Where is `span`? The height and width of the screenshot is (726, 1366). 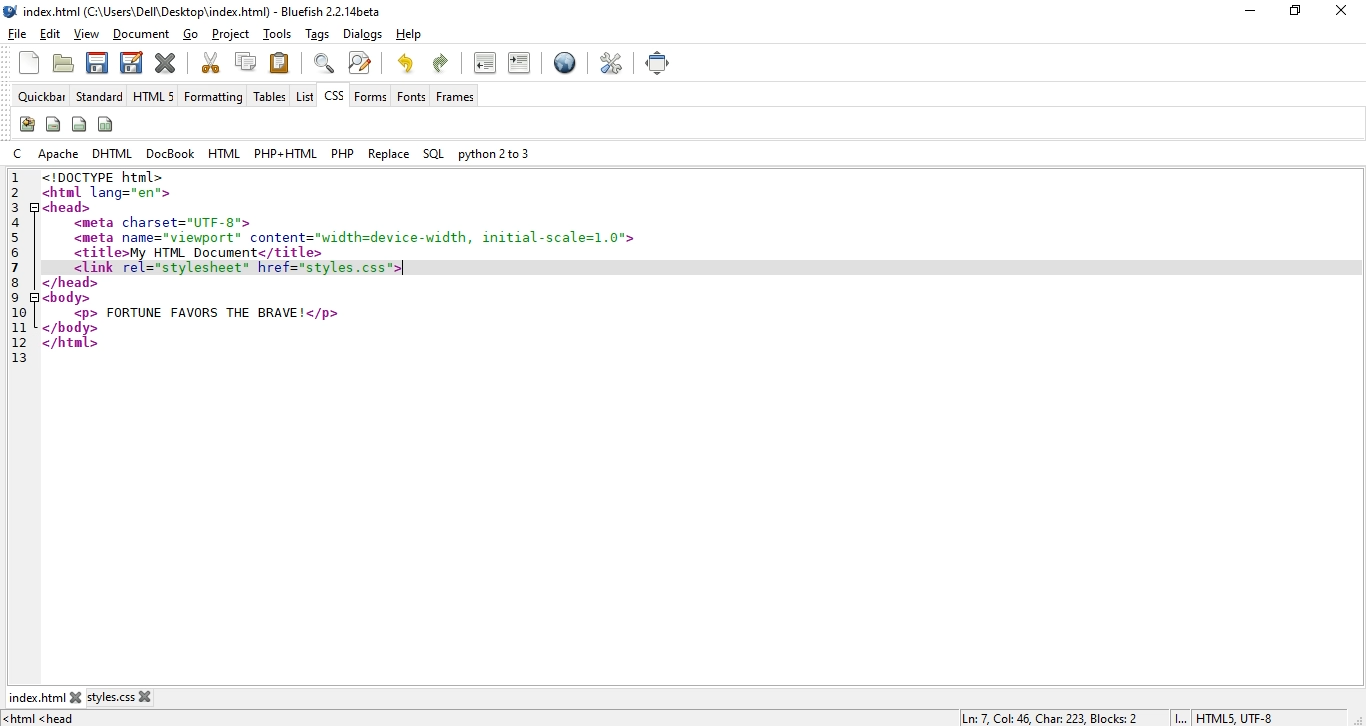
span is located at coordinates (53, 123).